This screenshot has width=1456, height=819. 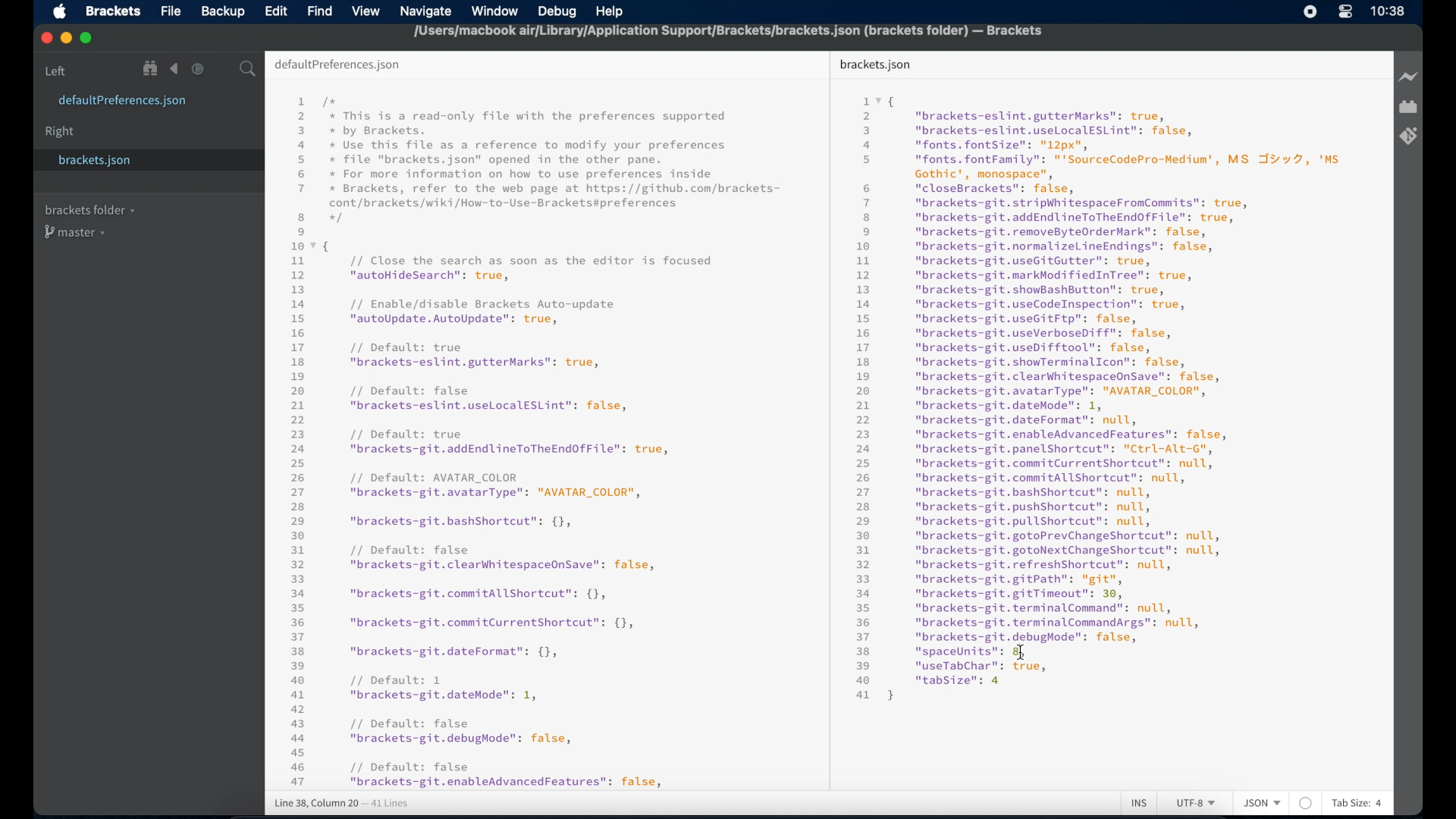 I want to click on tab size: 4, so click(x=1357, y=802).